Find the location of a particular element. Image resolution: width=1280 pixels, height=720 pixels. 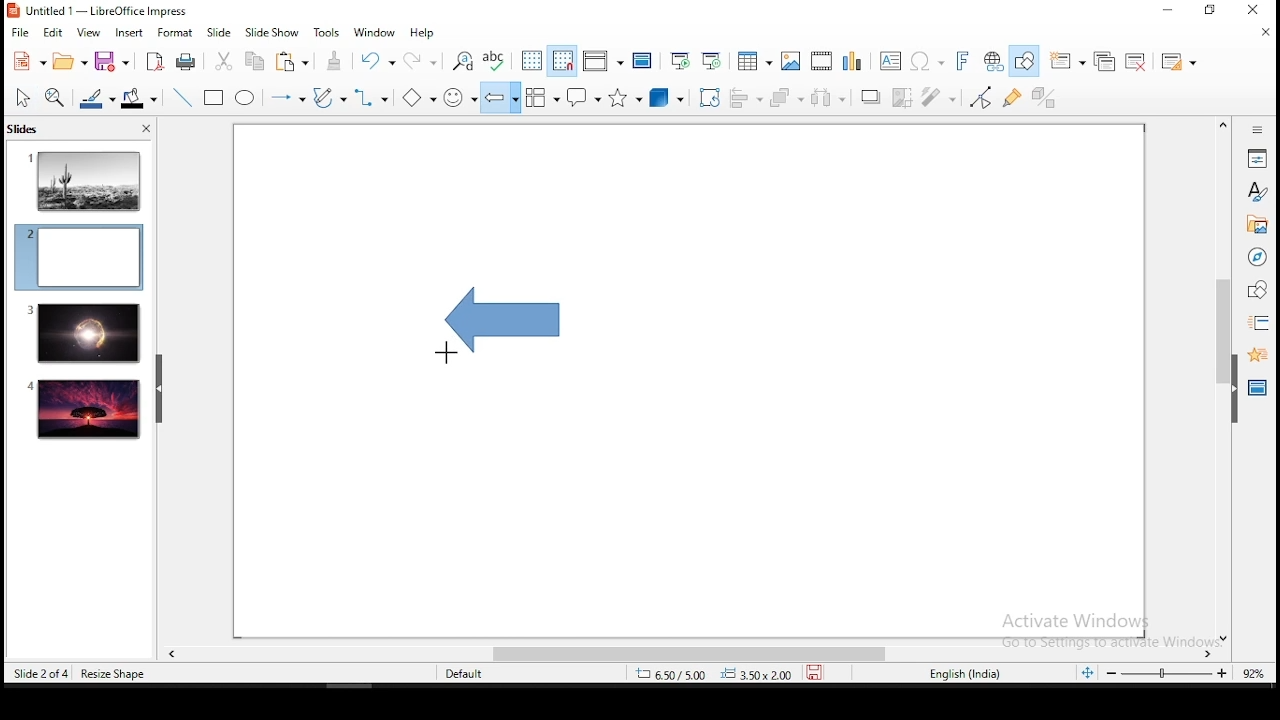

distribute is located at coordinates (830, 98).